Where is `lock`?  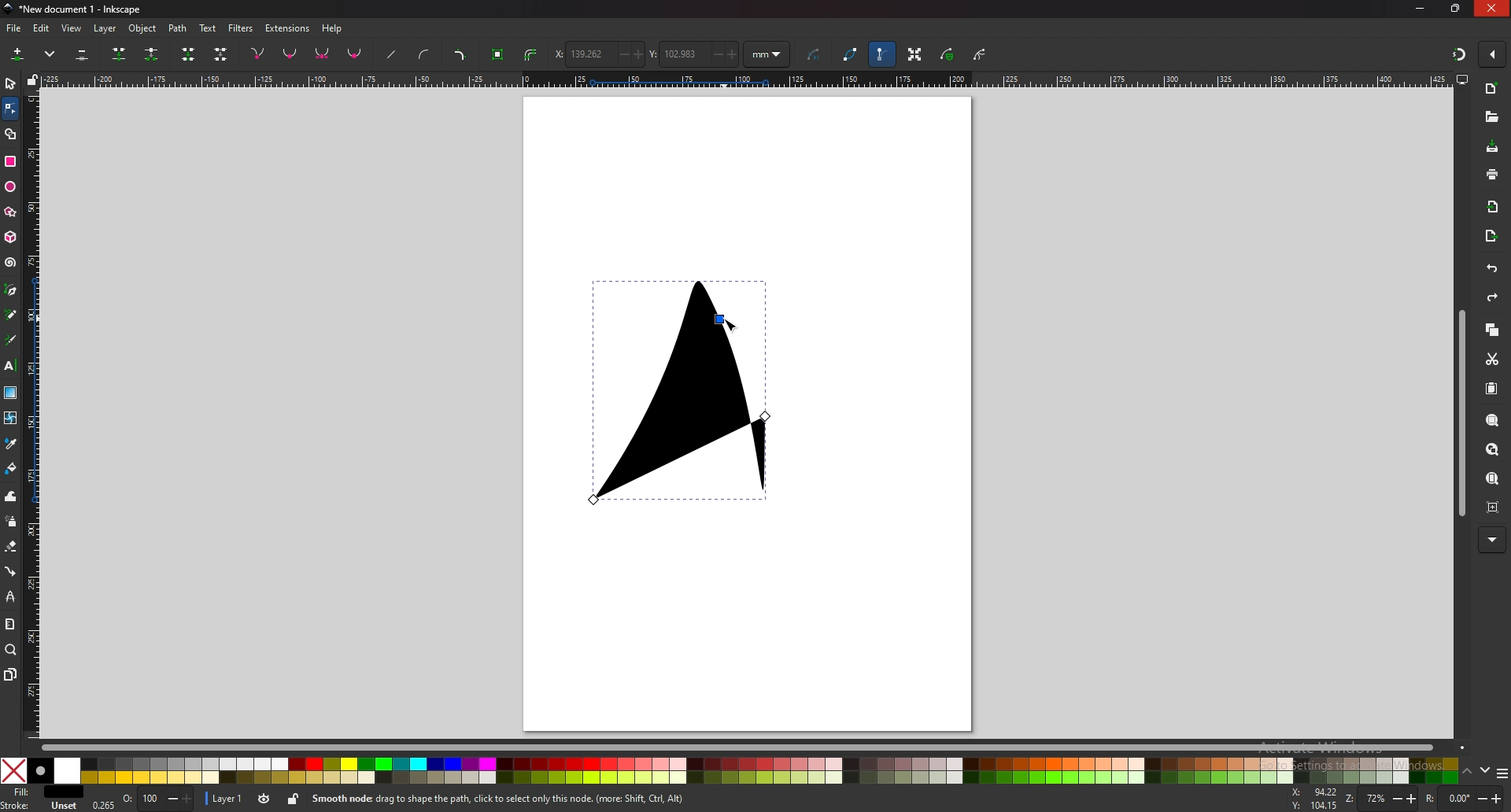
lock is located at coordinates (295, 799).